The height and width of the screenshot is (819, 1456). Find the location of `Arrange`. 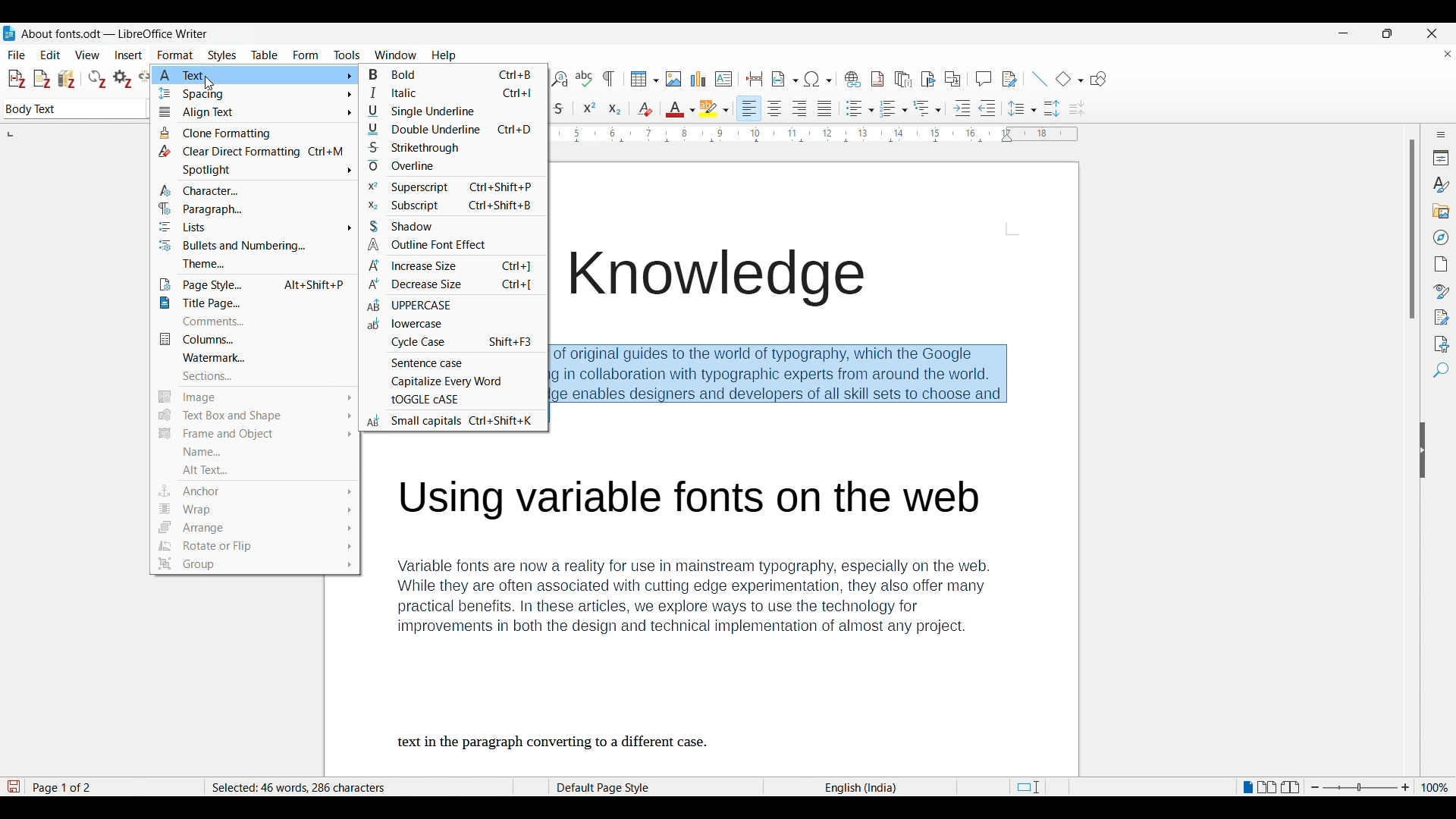

Arrange is located at coordinates (255, 530).